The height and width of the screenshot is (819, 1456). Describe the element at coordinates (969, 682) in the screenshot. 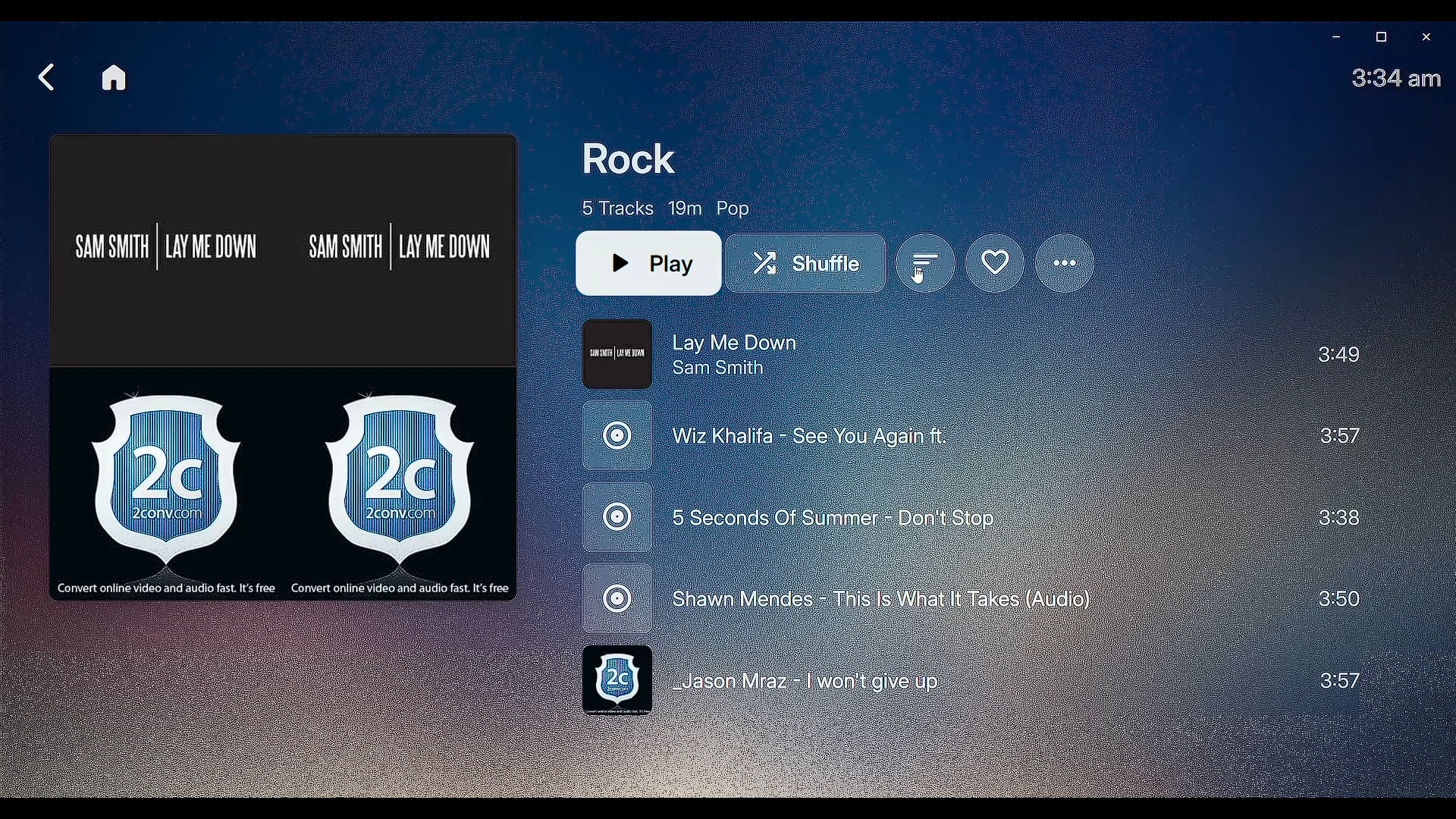

I see `Jason Mraz - I won't give up` at that location.